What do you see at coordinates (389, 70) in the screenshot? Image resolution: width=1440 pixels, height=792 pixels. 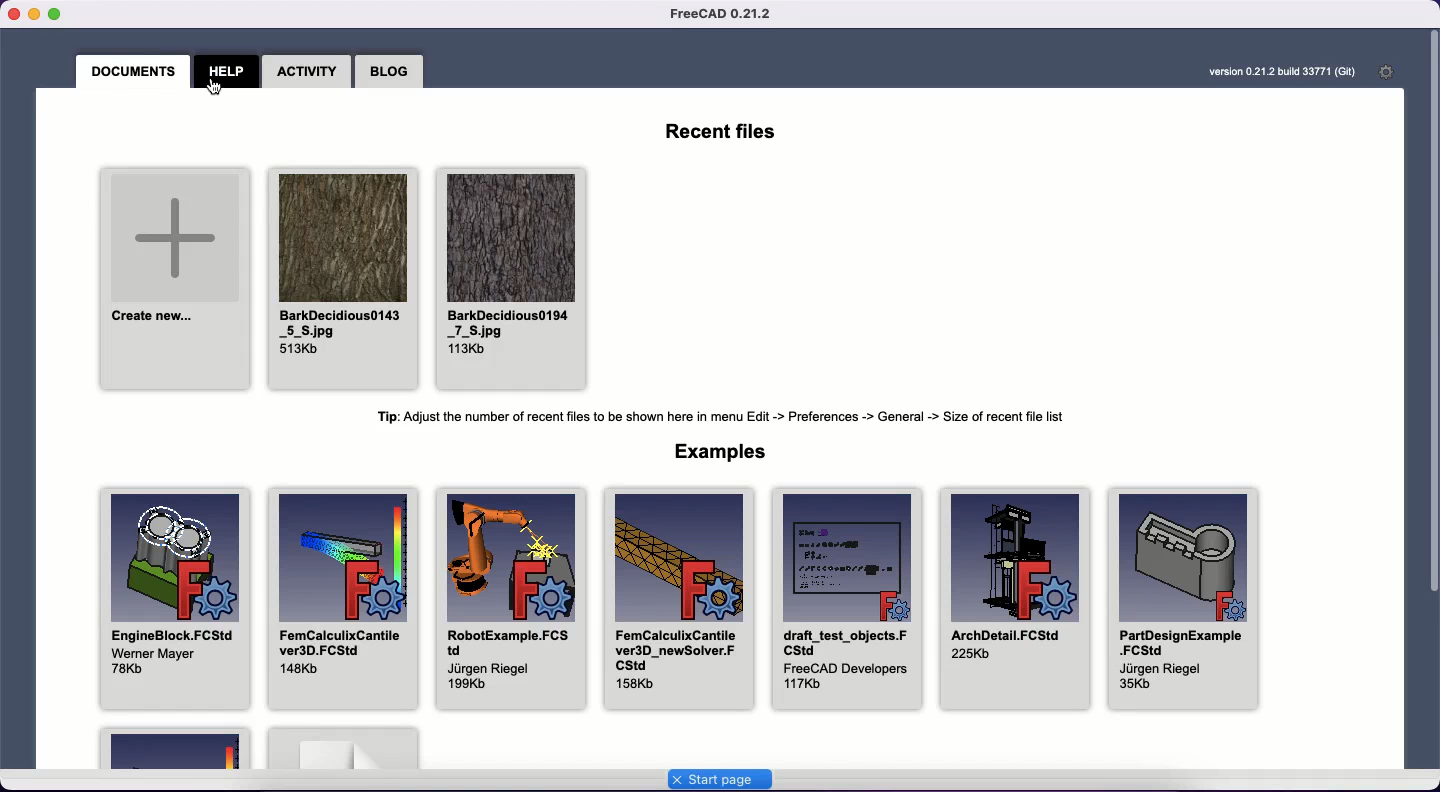 I see `Blog` at bounding box center [389, 70].